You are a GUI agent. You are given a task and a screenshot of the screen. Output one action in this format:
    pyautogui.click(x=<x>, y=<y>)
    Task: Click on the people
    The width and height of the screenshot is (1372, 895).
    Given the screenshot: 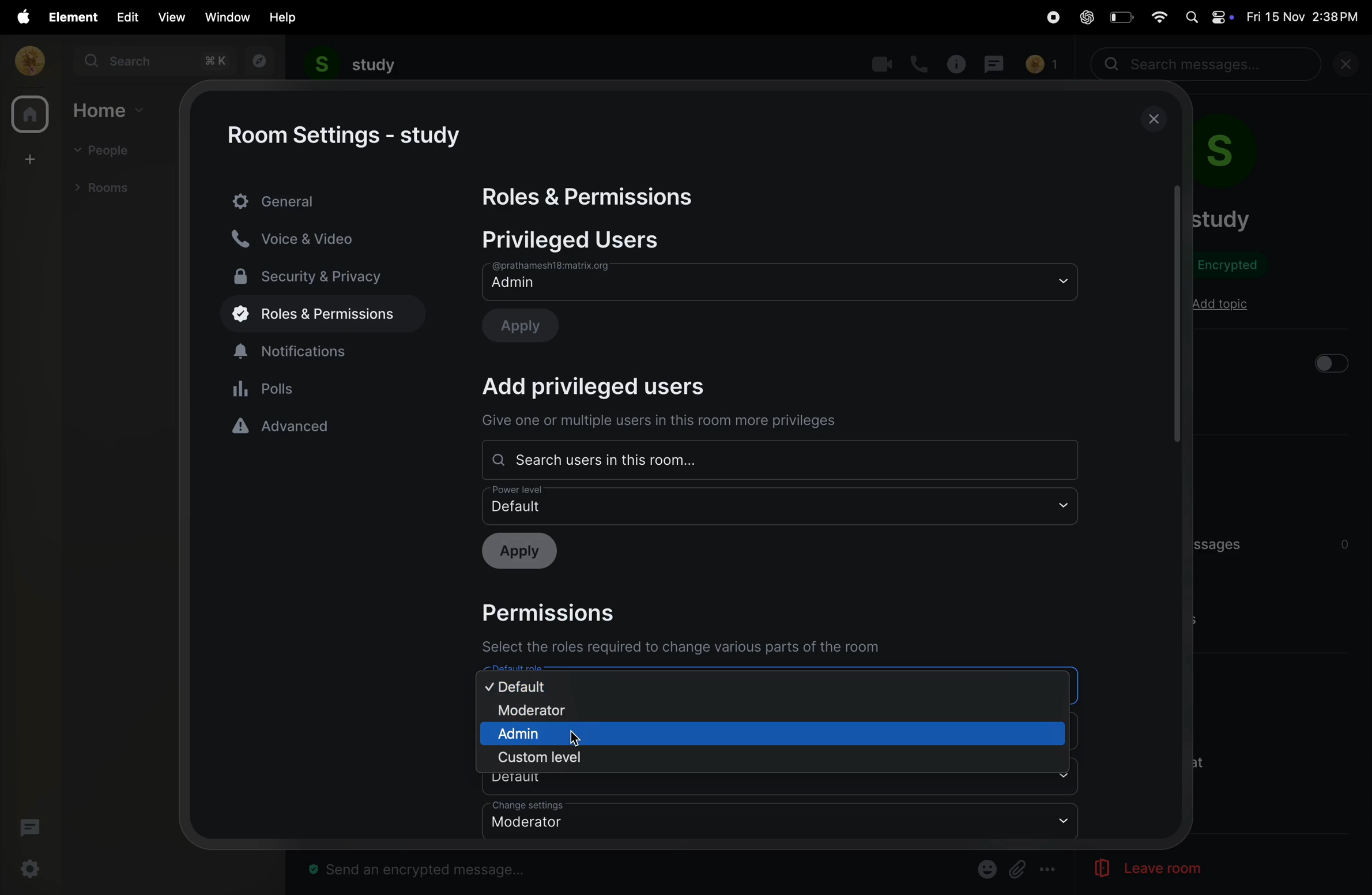 What is the action you would take?
    pyautogui.click(x=107, y=152)
    